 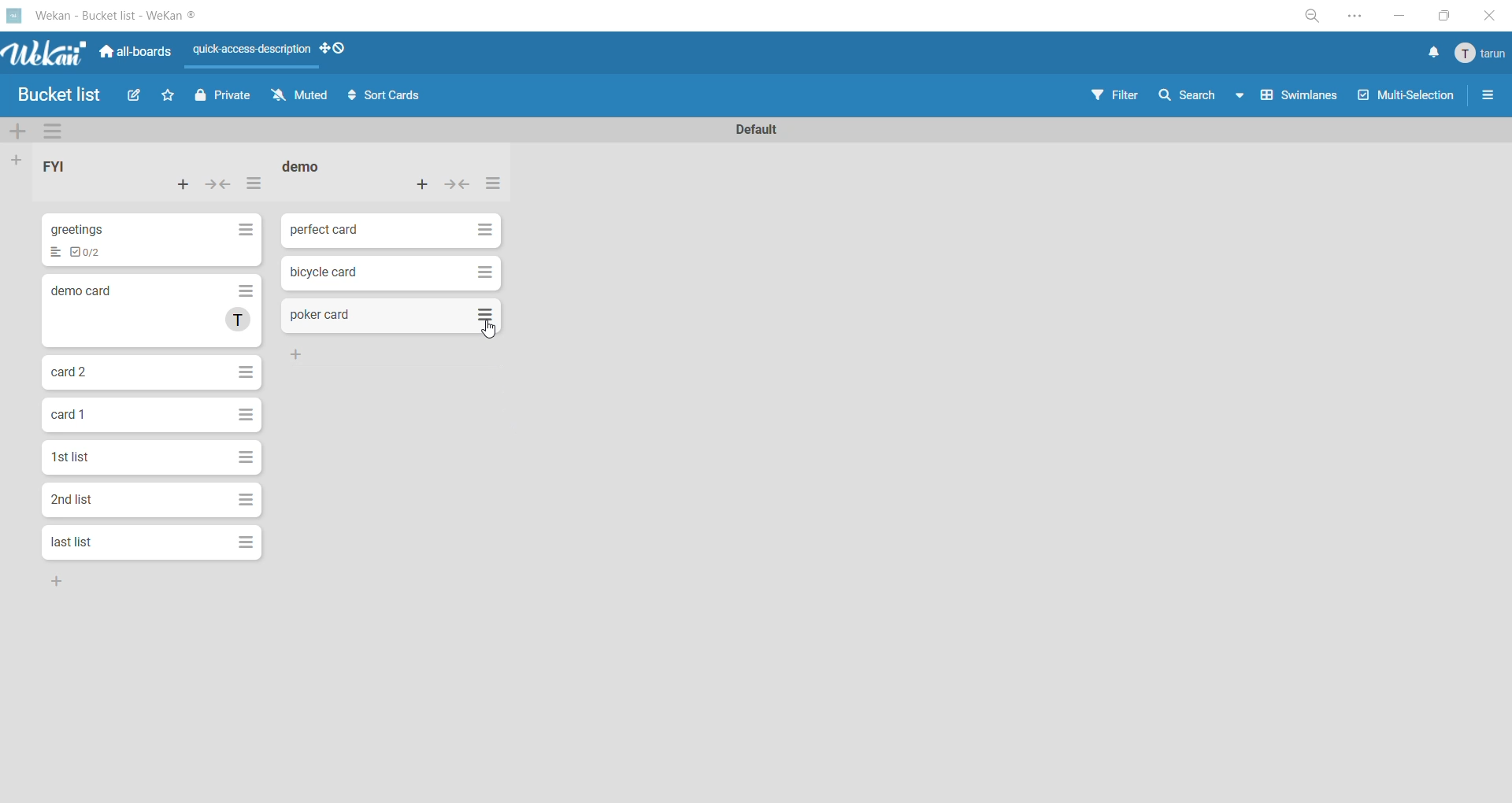 What do you see at coordinates (310, 168) in the screenshot?
I see `list title ` at bounding box center [310, 168].